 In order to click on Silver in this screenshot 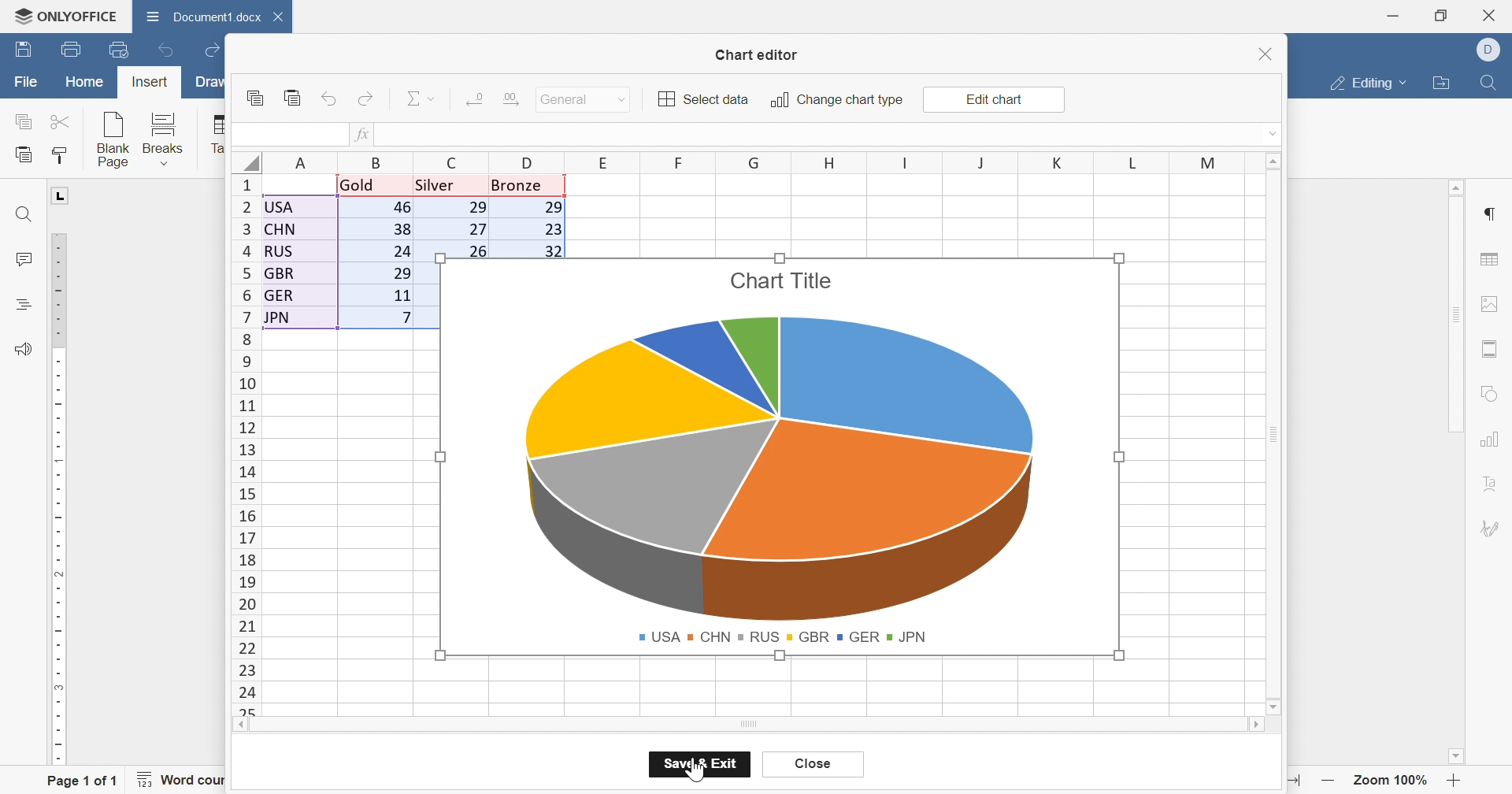, I will do `click(438, 186)`.